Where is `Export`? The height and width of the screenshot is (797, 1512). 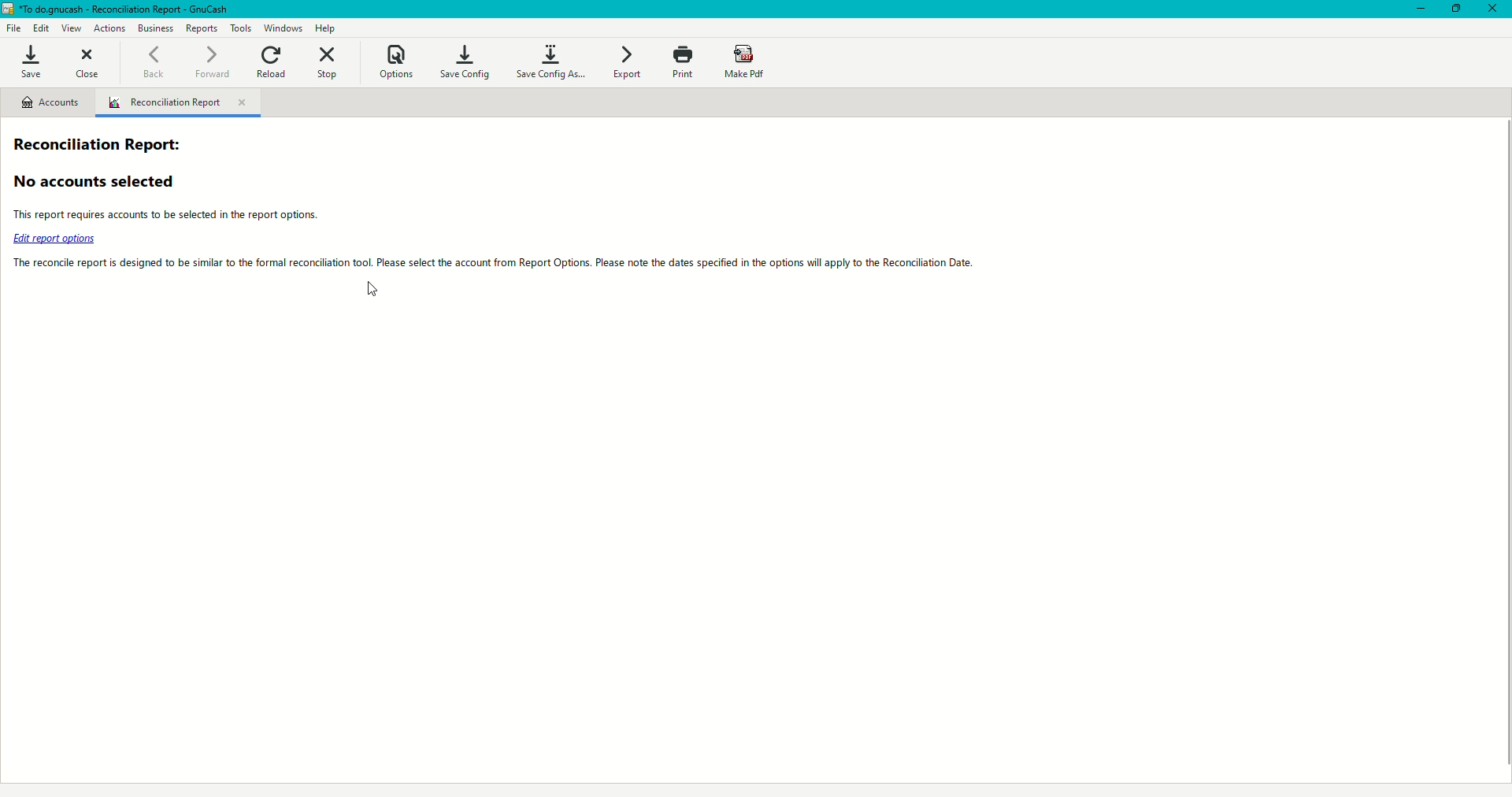 Export is located at coordinates (631, 62).